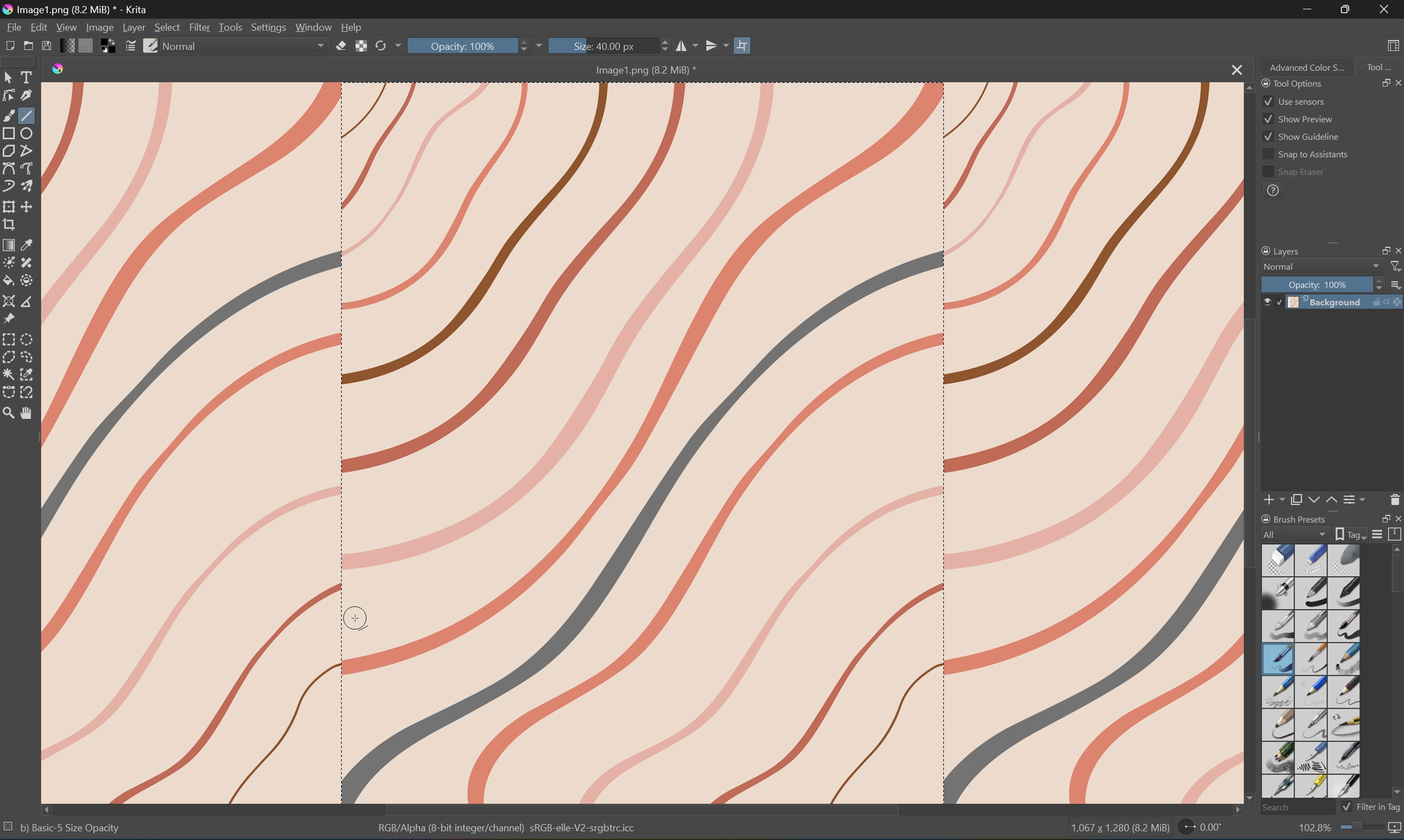 Image resolution: width=1404 pixels, height=840 pixels. I want to click on Line tool, so click(28, 115).